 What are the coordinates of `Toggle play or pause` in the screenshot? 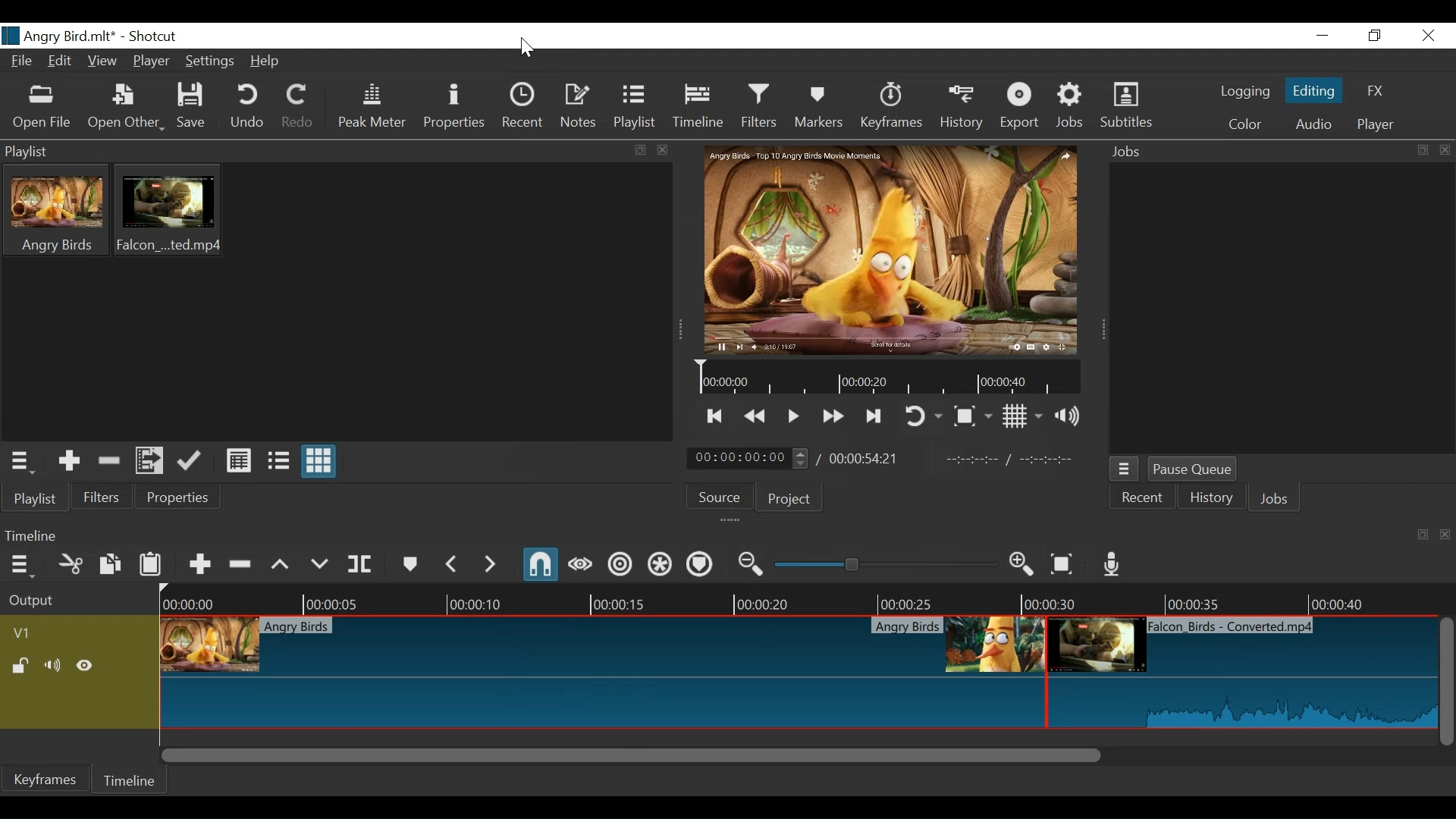 It's located at (794, 416).